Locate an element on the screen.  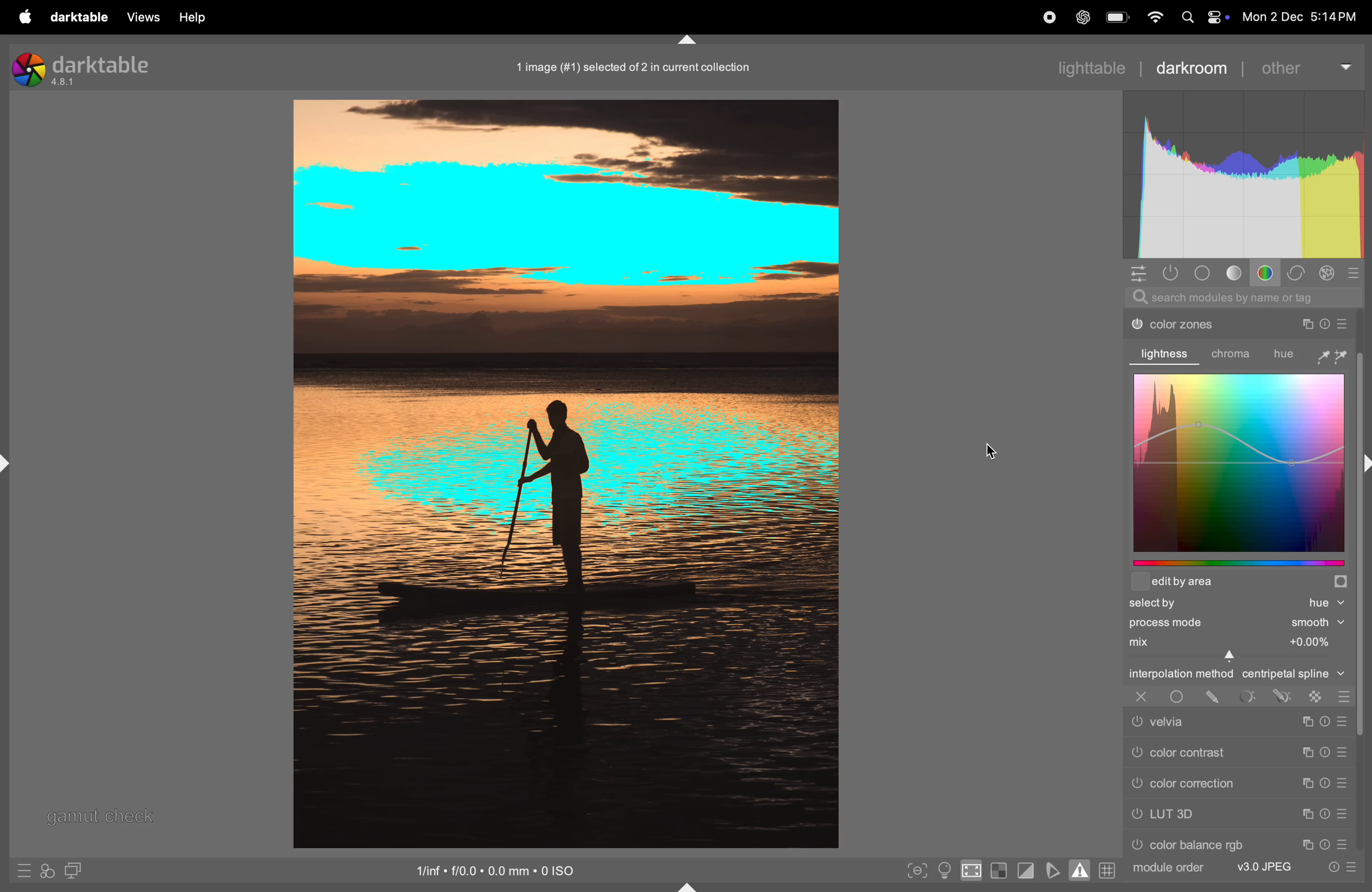
Copy is located at coordinates (1306, 845).